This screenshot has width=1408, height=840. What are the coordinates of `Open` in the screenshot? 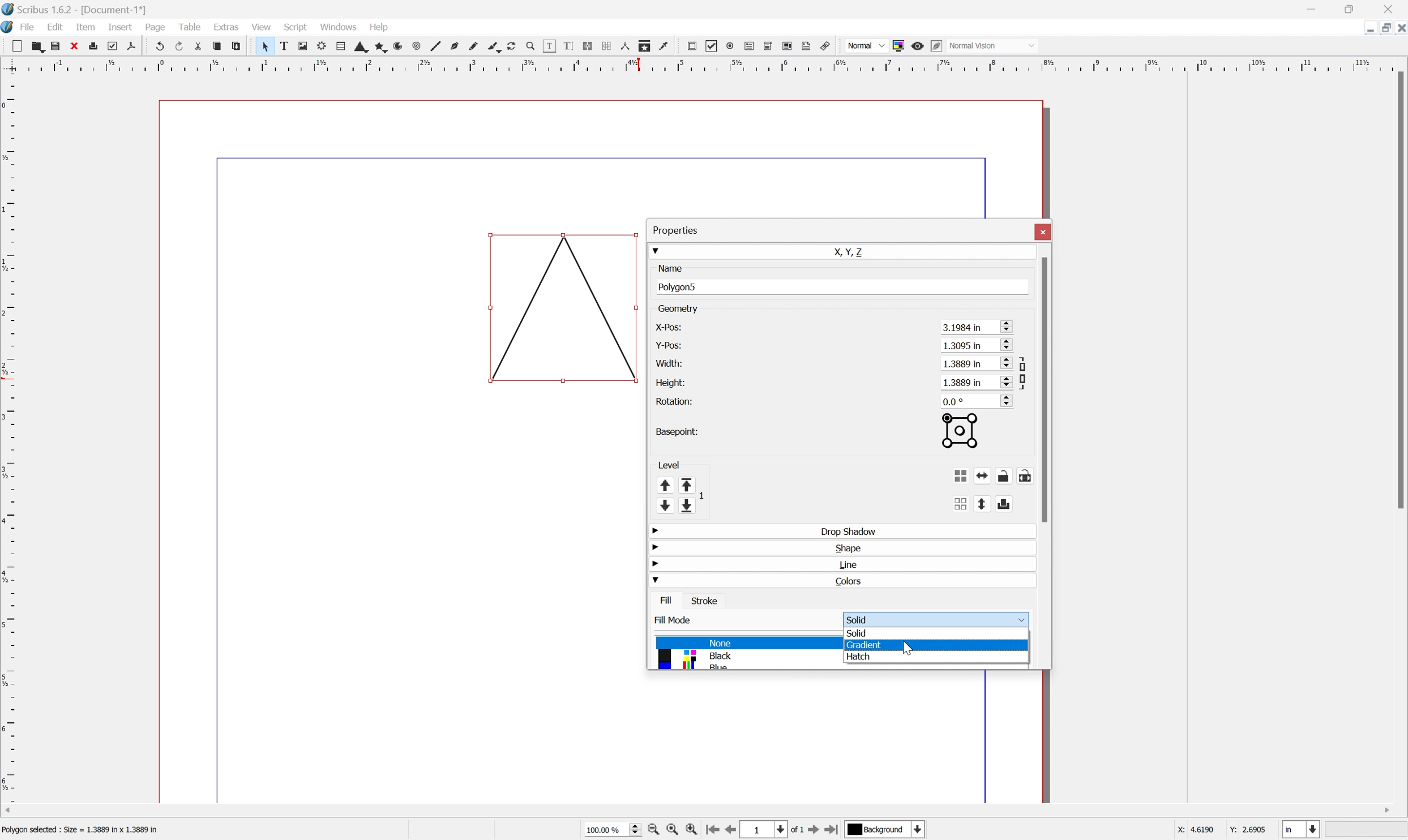 It's located at (35, 45).